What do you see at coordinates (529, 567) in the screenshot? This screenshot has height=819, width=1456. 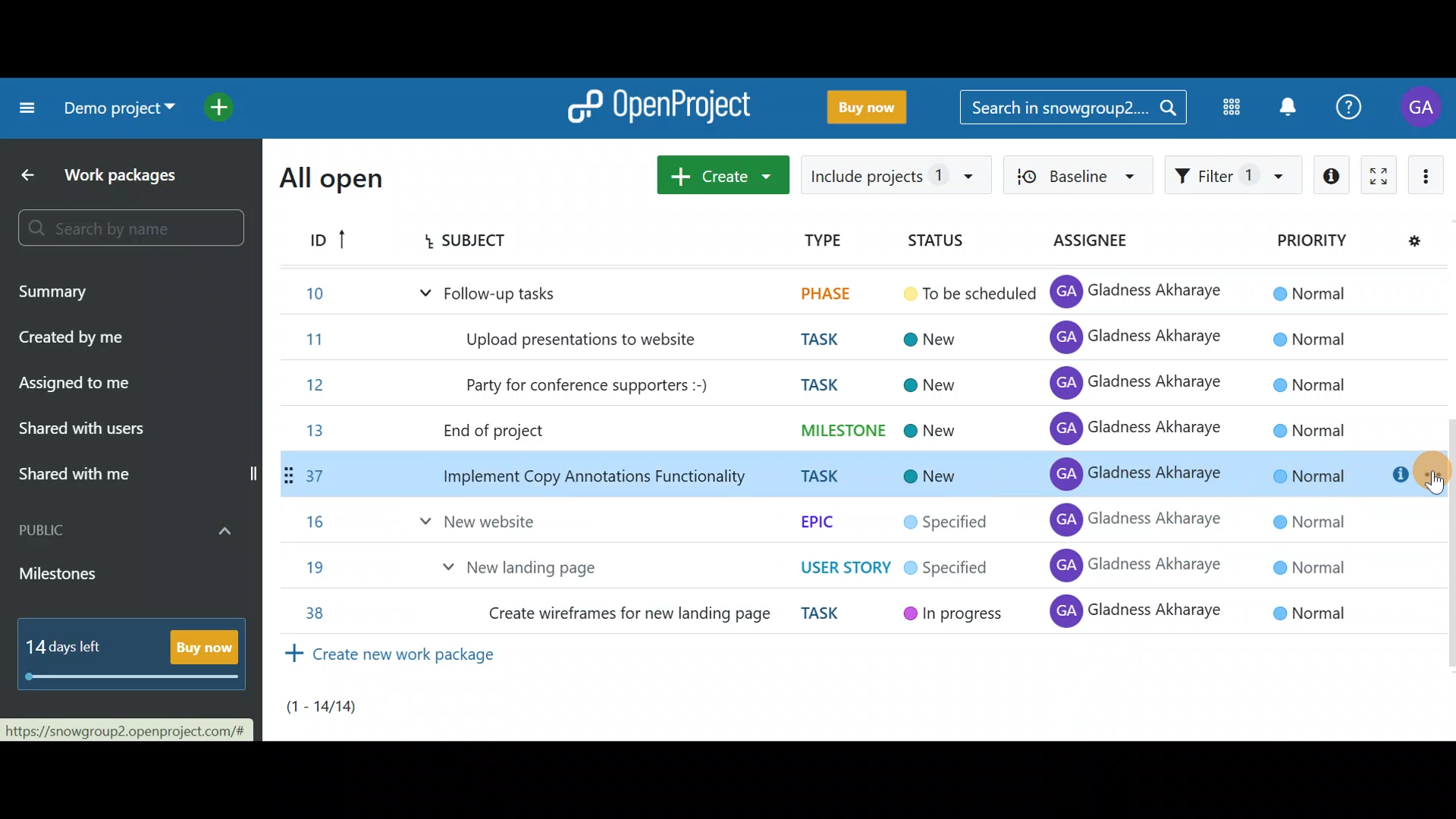 I see `New landing page` at bounding box center [529, 567].